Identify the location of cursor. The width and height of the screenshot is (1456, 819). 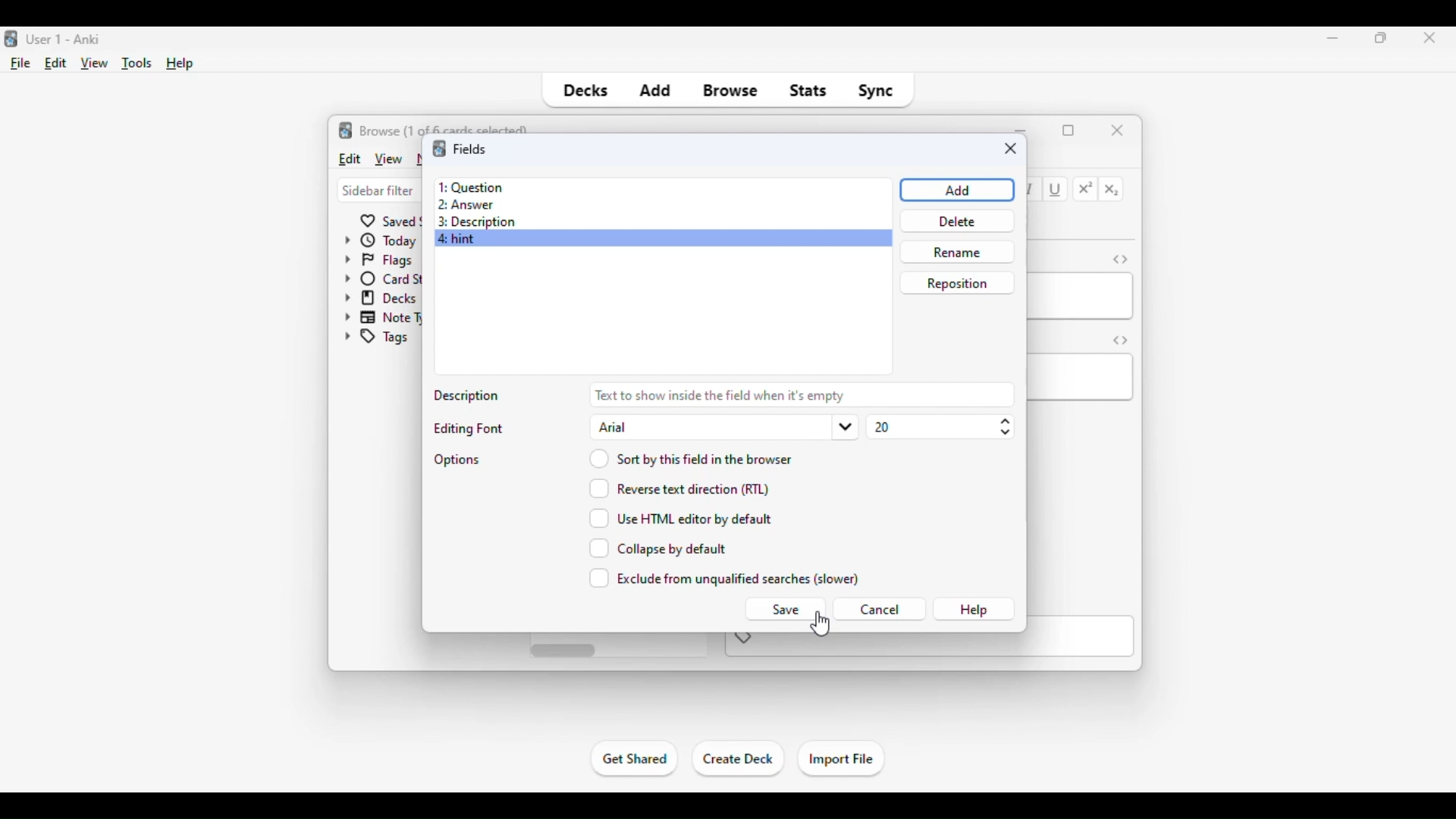
(820, 625).